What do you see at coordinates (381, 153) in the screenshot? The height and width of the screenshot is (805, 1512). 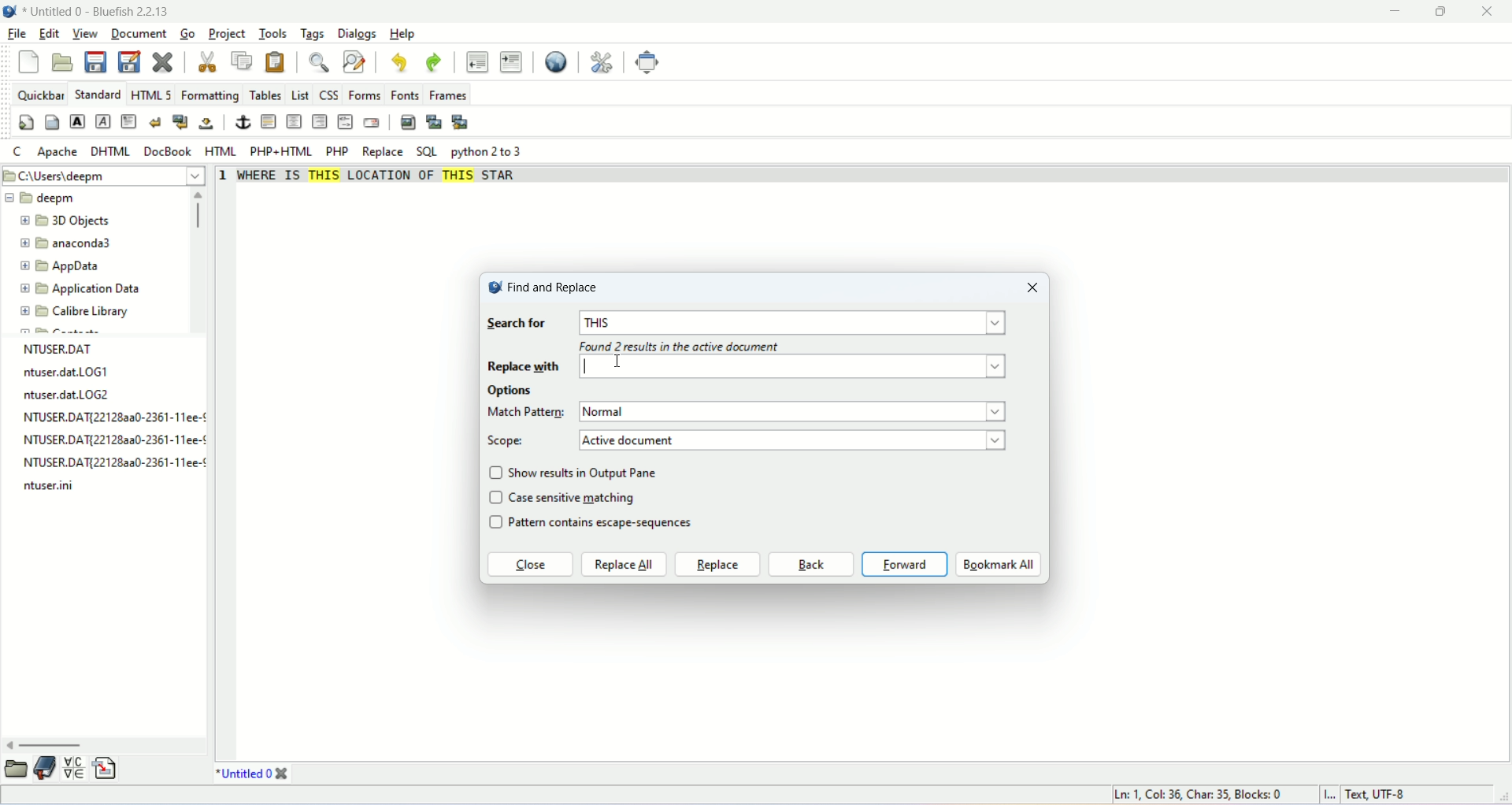 I see `replace` at bounding box center [381, 153].